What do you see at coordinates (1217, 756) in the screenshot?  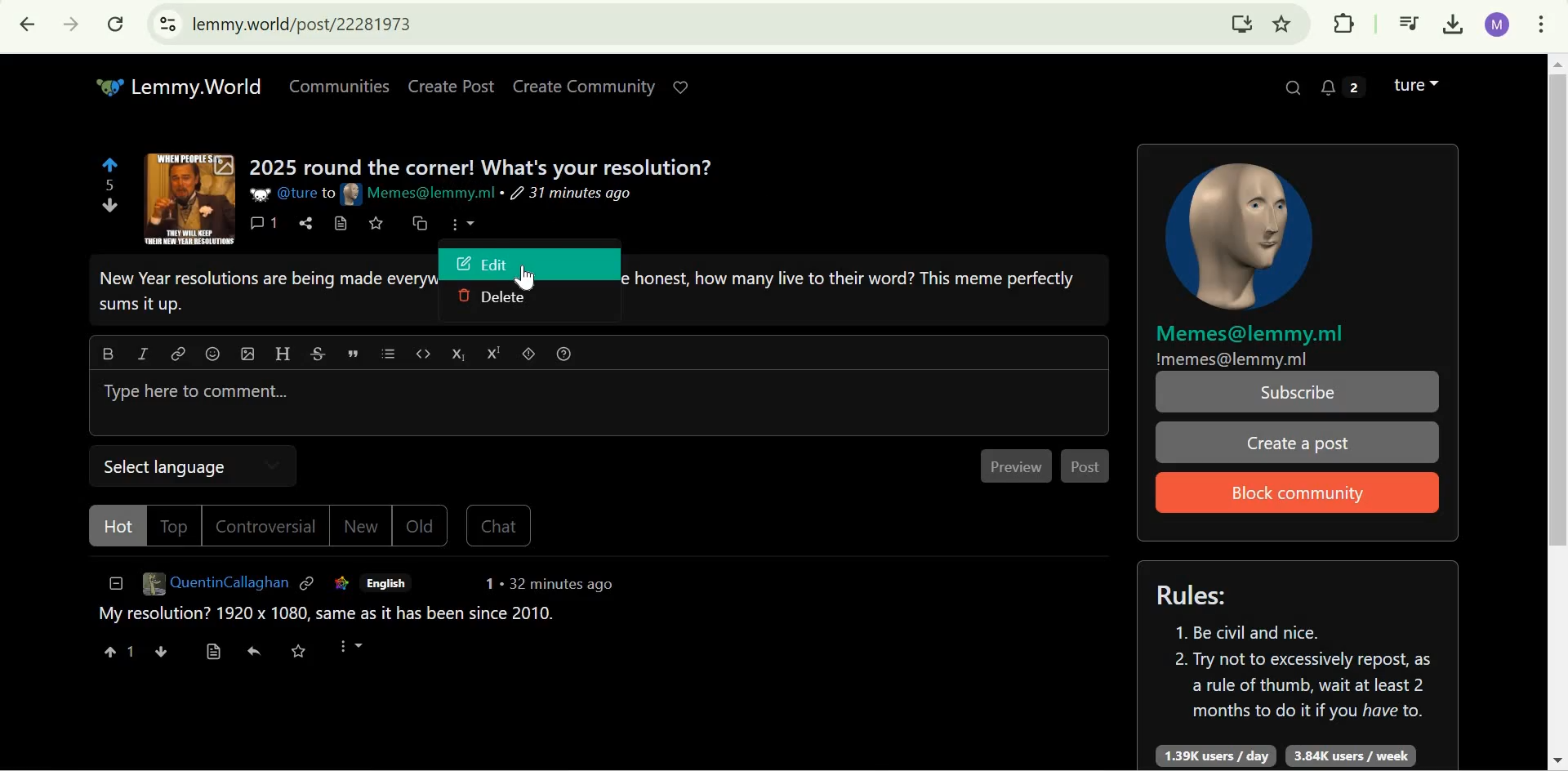 I see `1.39K users/day` at bounding box center [1217, 756].